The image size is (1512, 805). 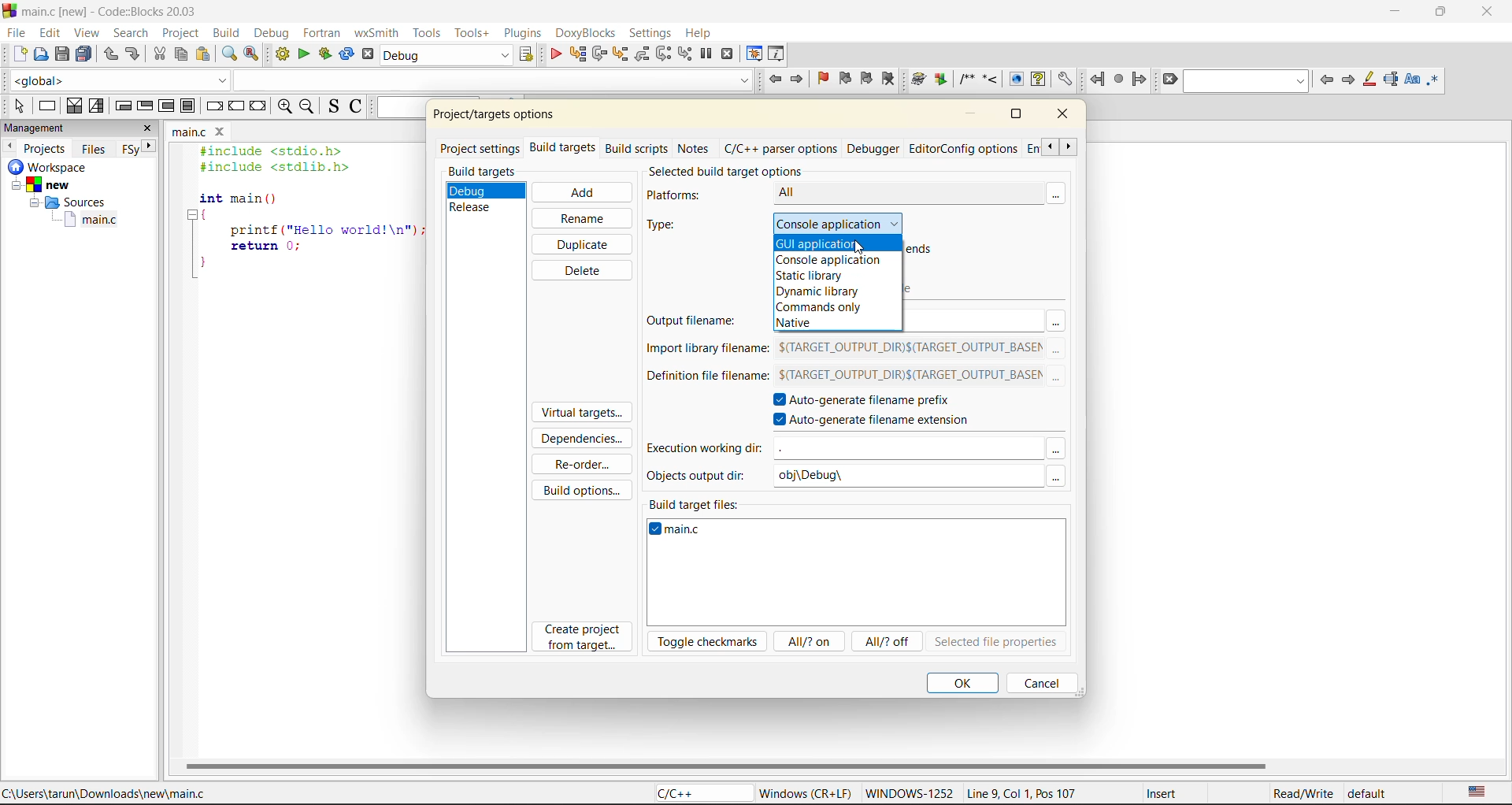 What do you see at coordinates (190, 105) in the screenshot?
I see `block instruction` at bounding box center [190, 105].